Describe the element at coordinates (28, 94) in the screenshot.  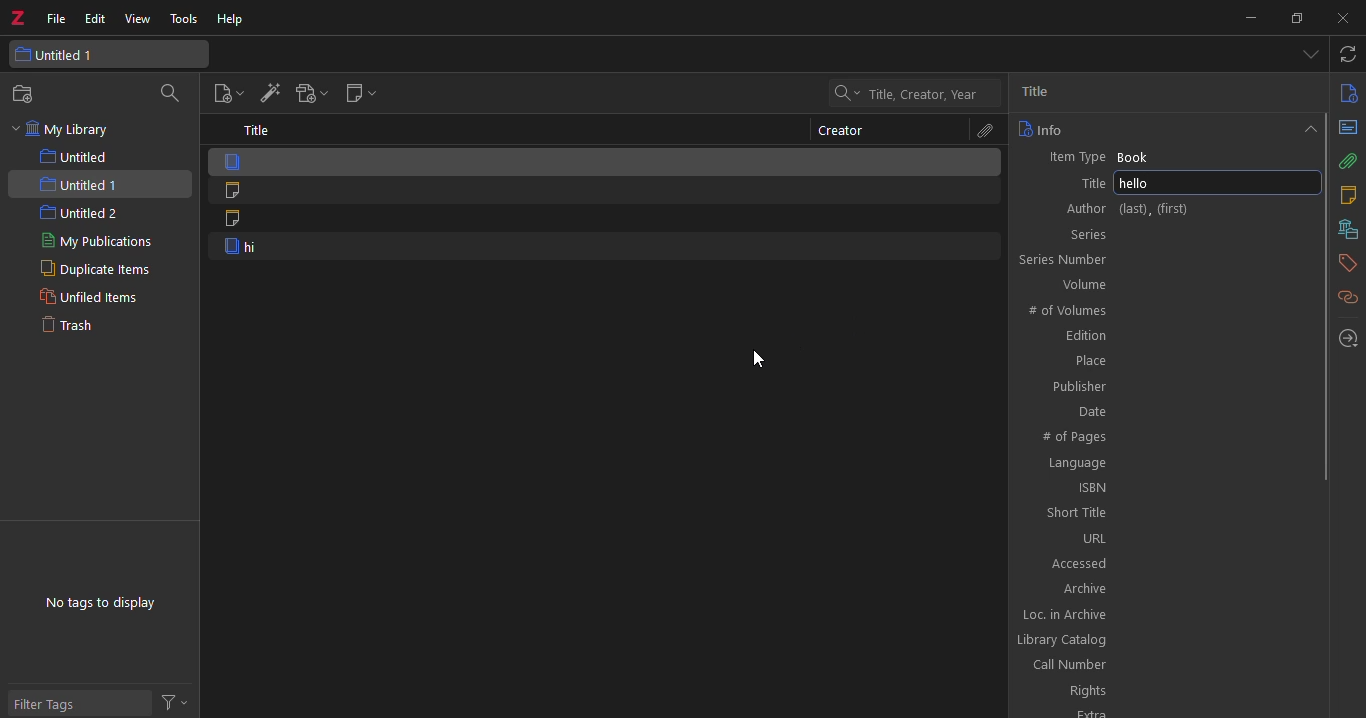
I see `new collection` at that location.